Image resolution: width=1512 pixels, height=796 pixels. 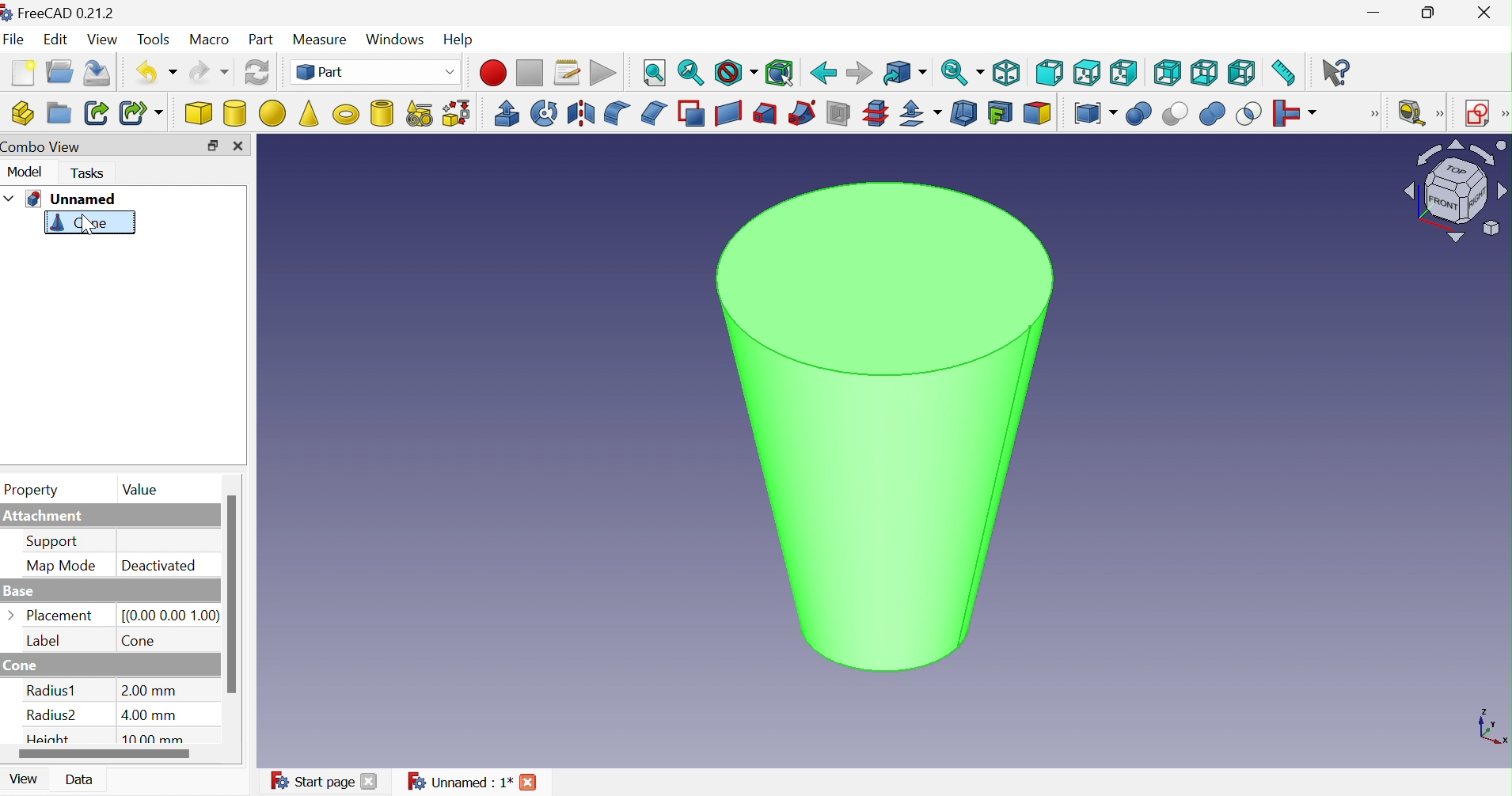 I want to click on Stop macro recording, so click(x=530, y=73).